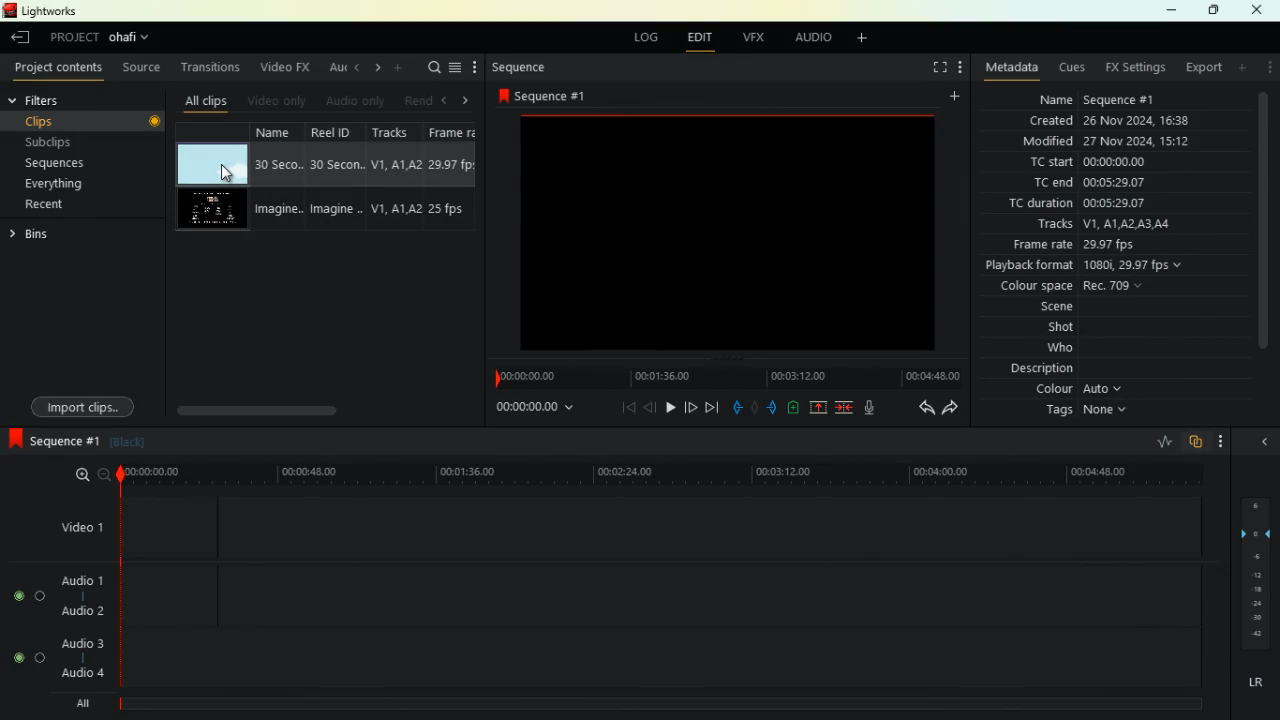 This screenshot has width=1280, height=720. I want to click on reel id, so click(336, 176).